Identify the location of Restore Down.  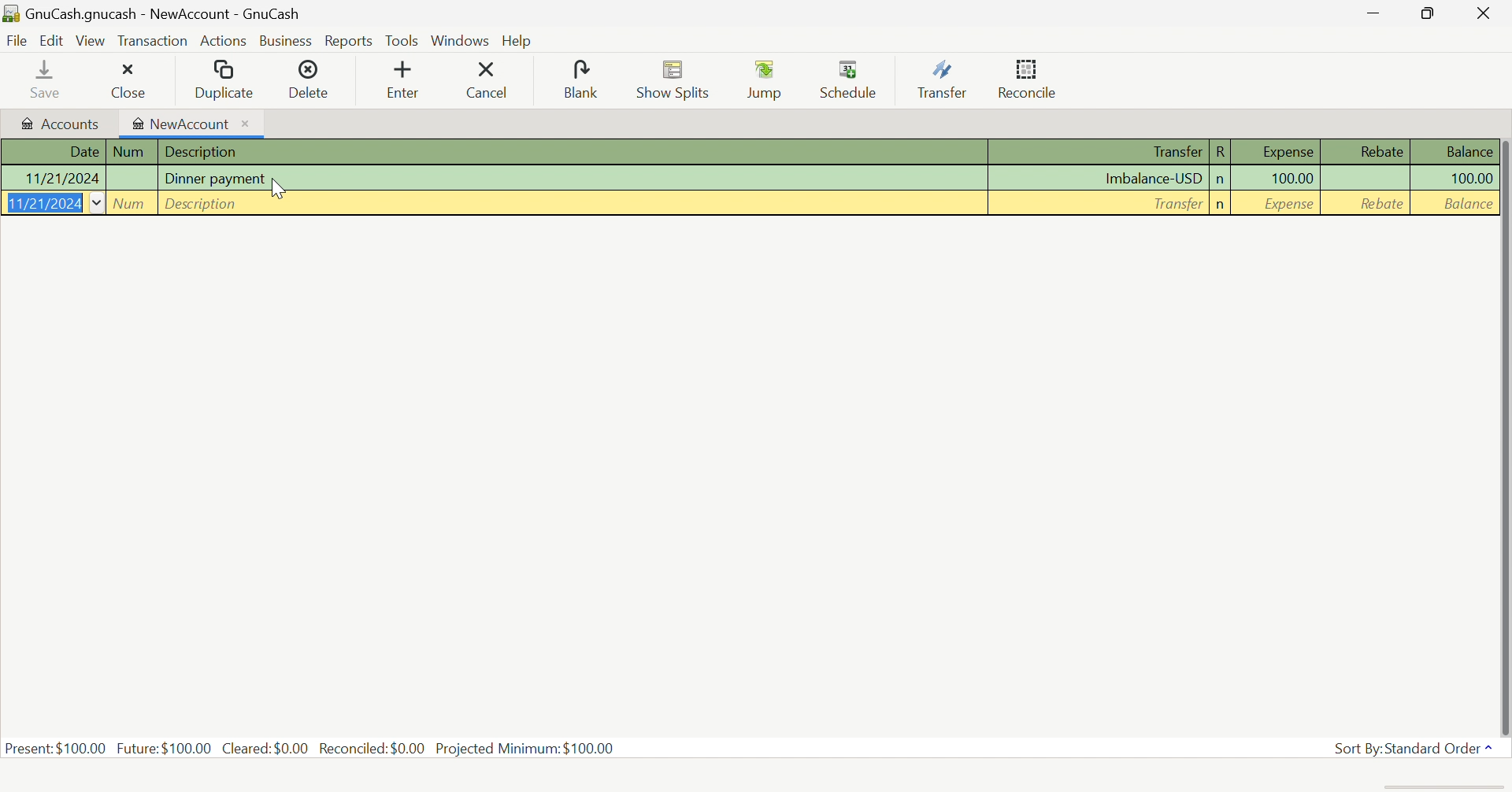
(1425, 14).